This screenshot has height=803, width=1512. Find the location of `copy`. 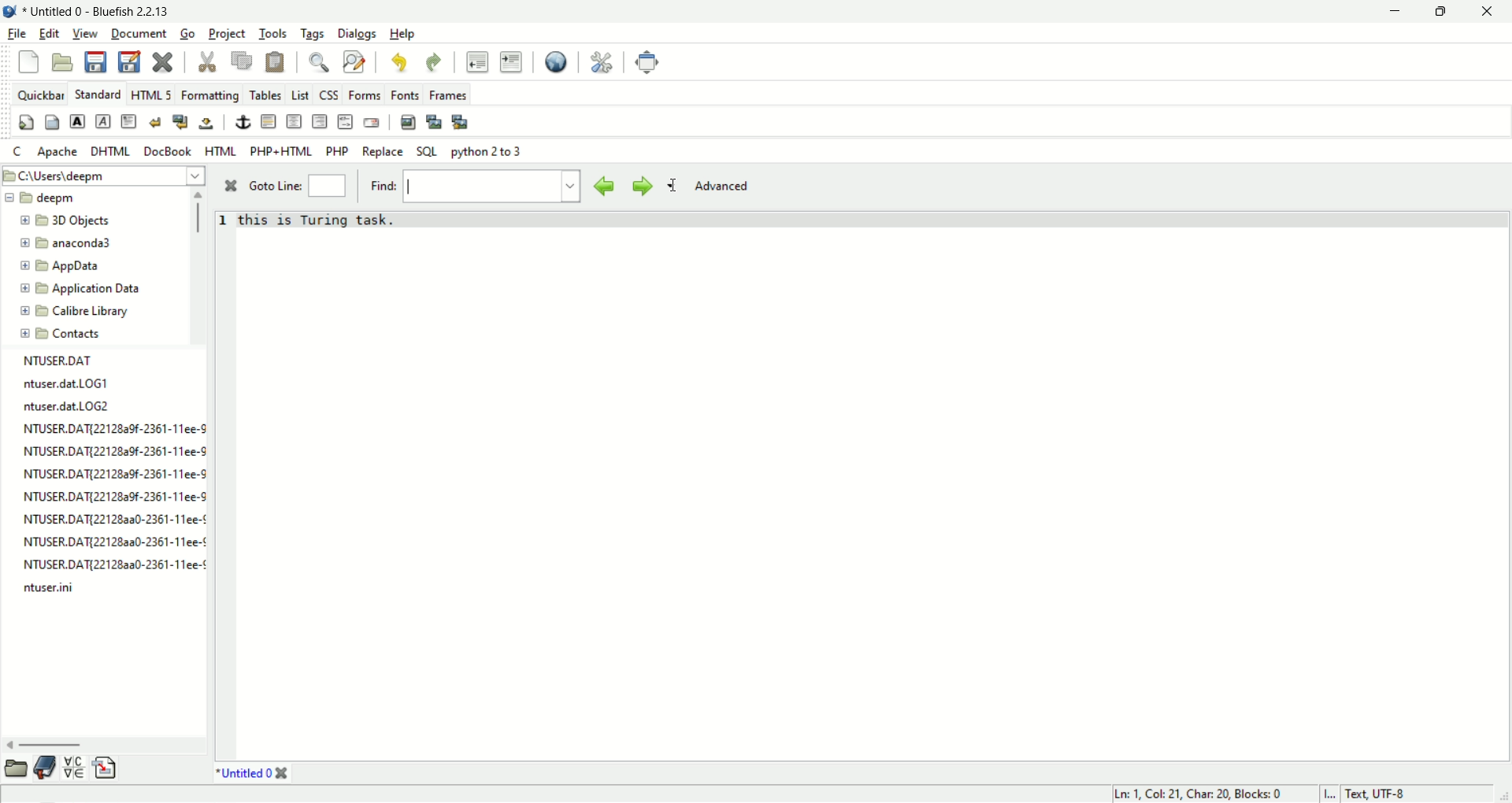

copy is located at coordinates (242, 61).